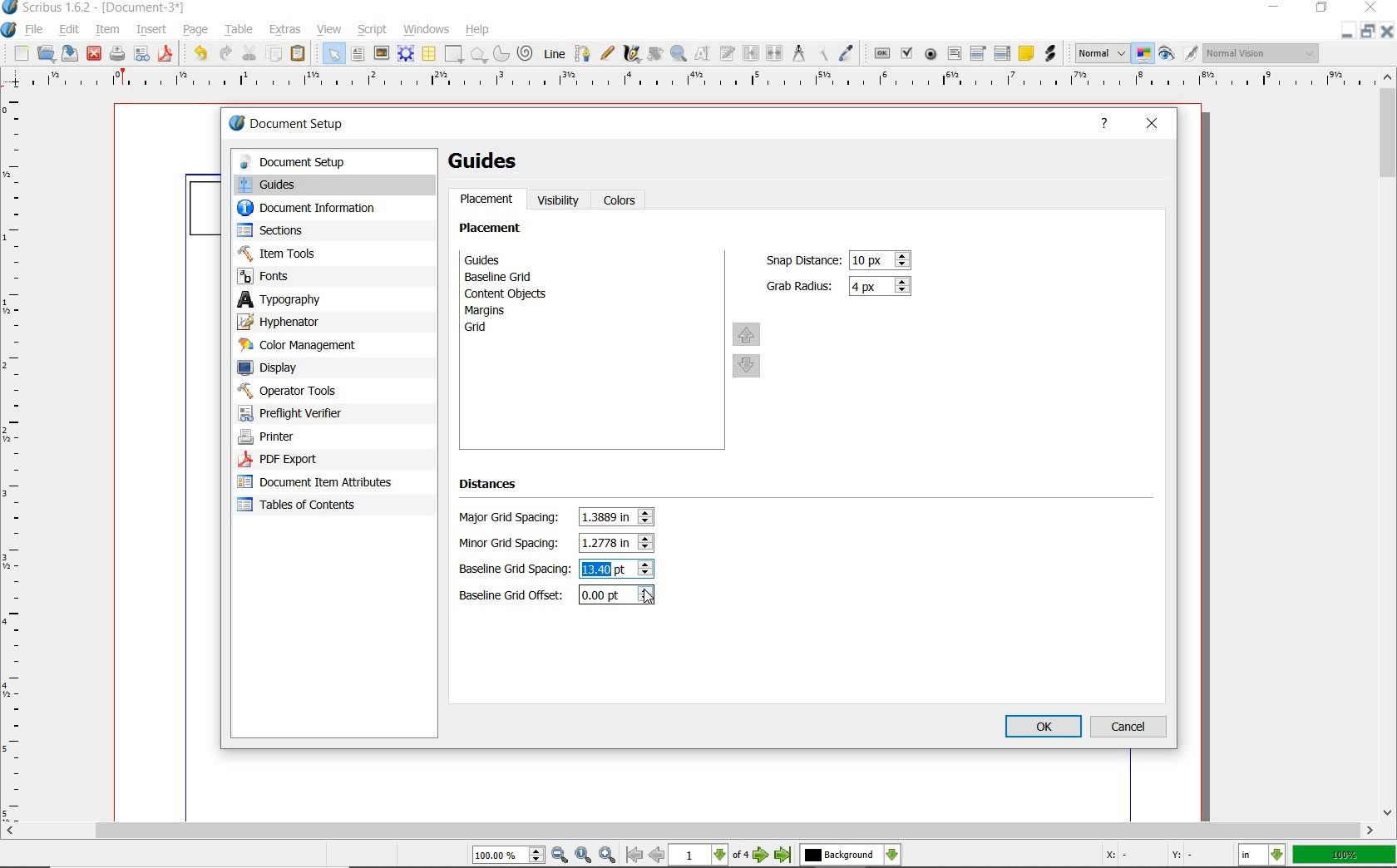 The width and height of the screenshot is (1397, 868). I want to click on Grab Radius:, so click(801, 284).